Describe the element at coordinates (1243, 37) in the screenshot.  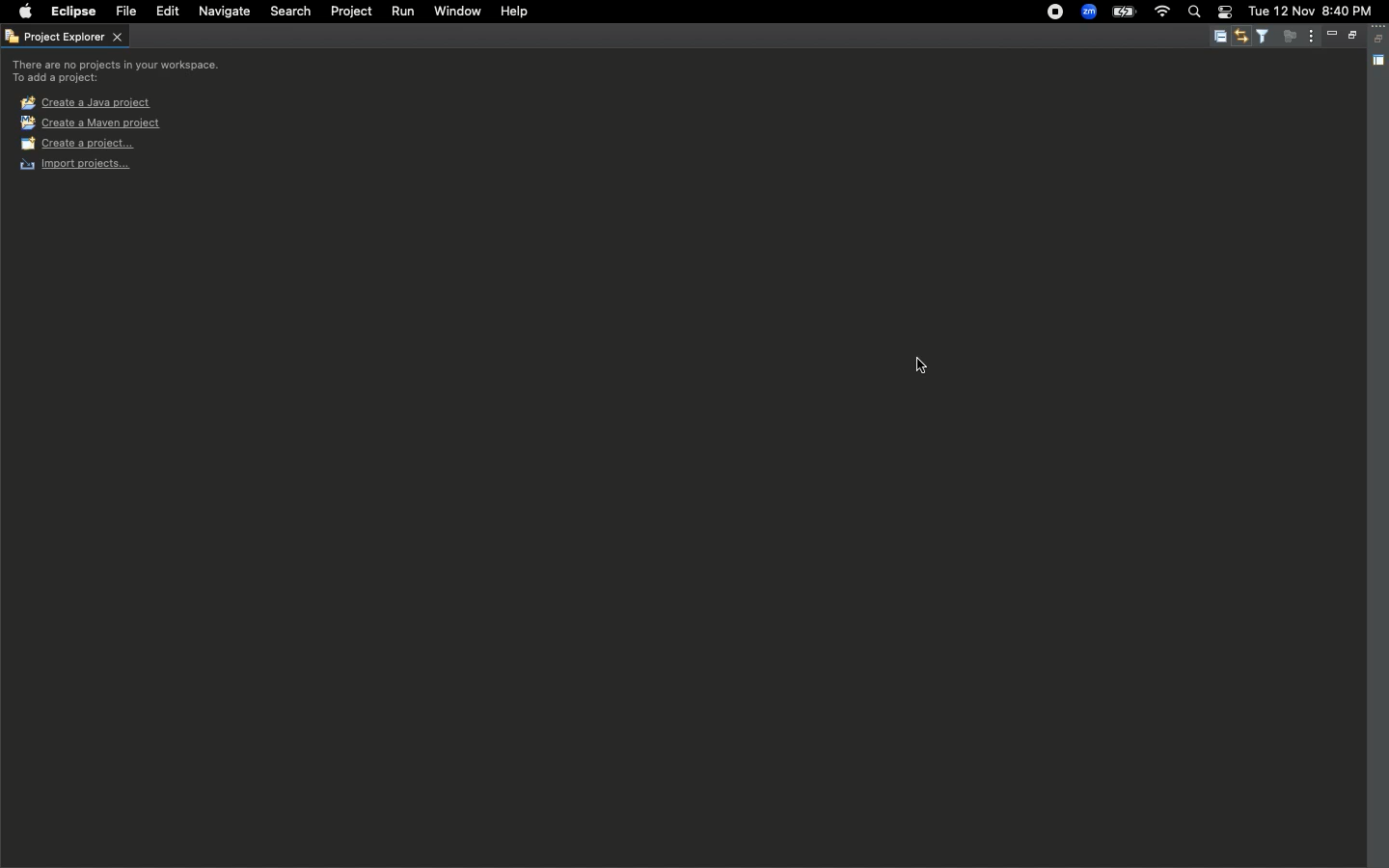
I see `Link with editor` at that location.